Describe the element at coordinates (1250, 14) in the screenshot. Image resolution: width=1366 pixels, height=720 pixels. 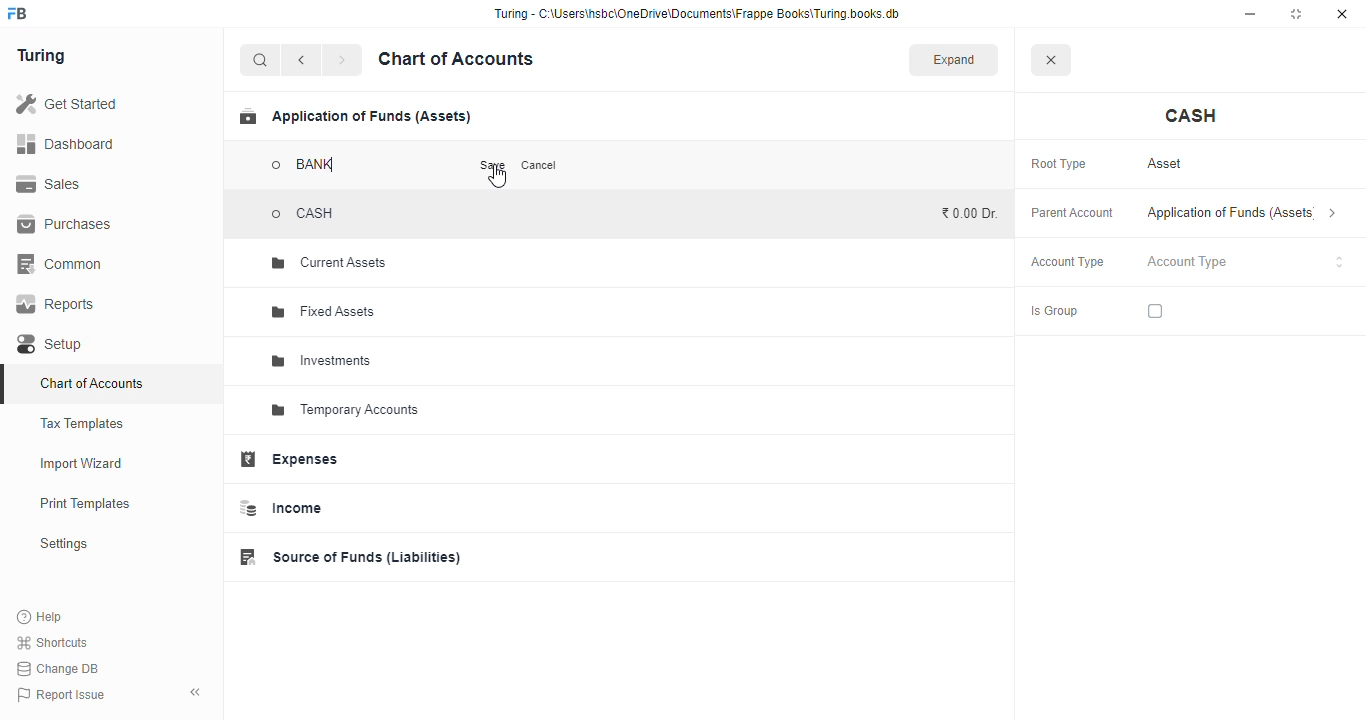
I see `minimize` at that location.